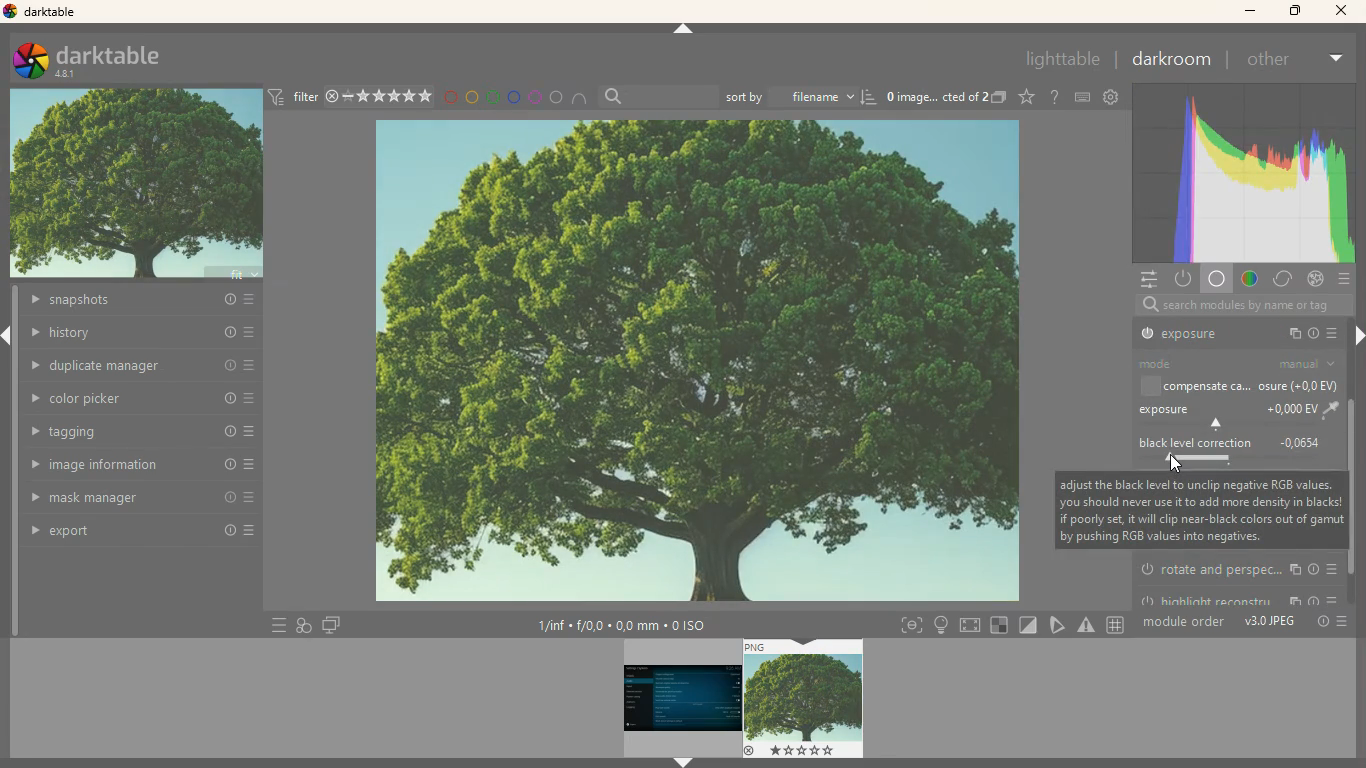  I want to click on square, so click(999, 624).